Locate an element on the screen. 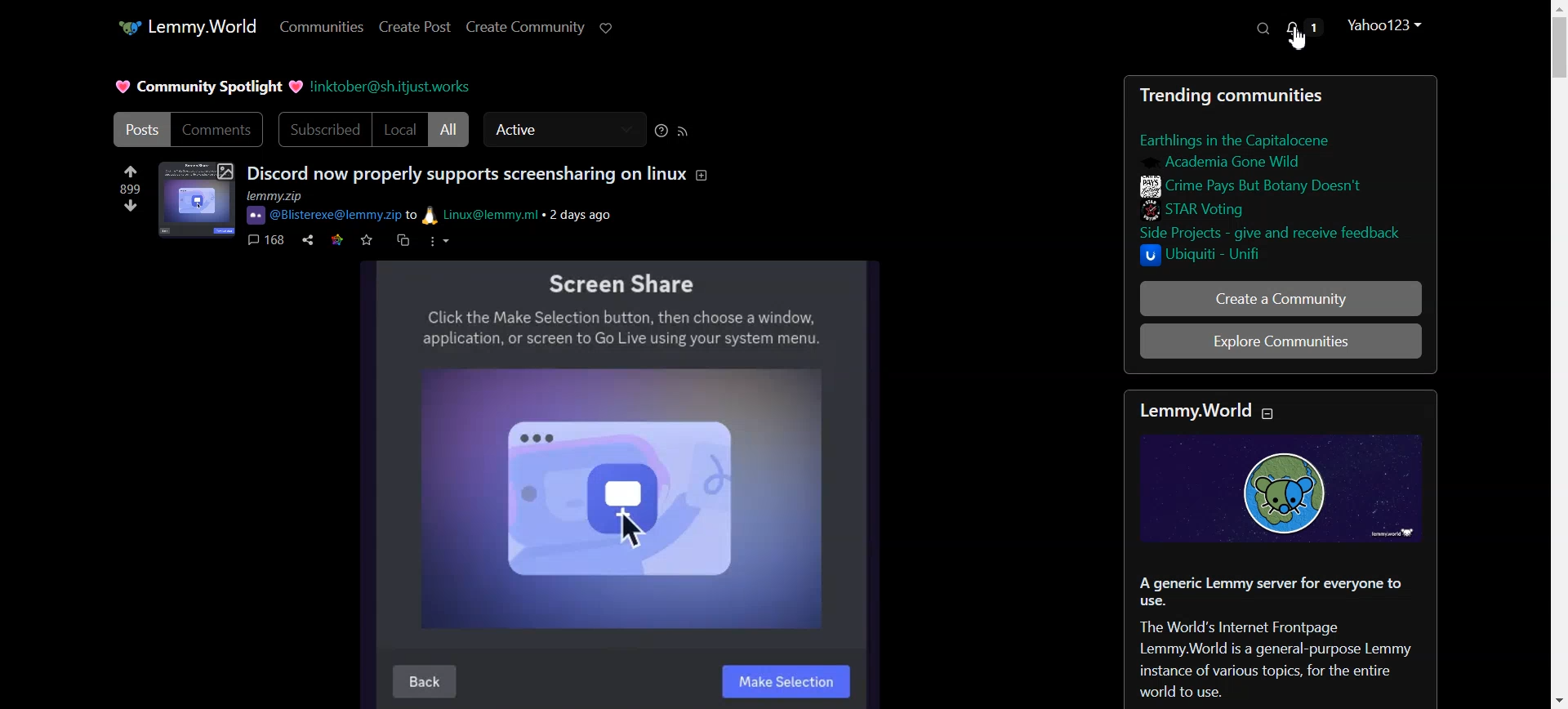 The image size is (1568, 709). Support Limmy is located at coordinates (606, 28).